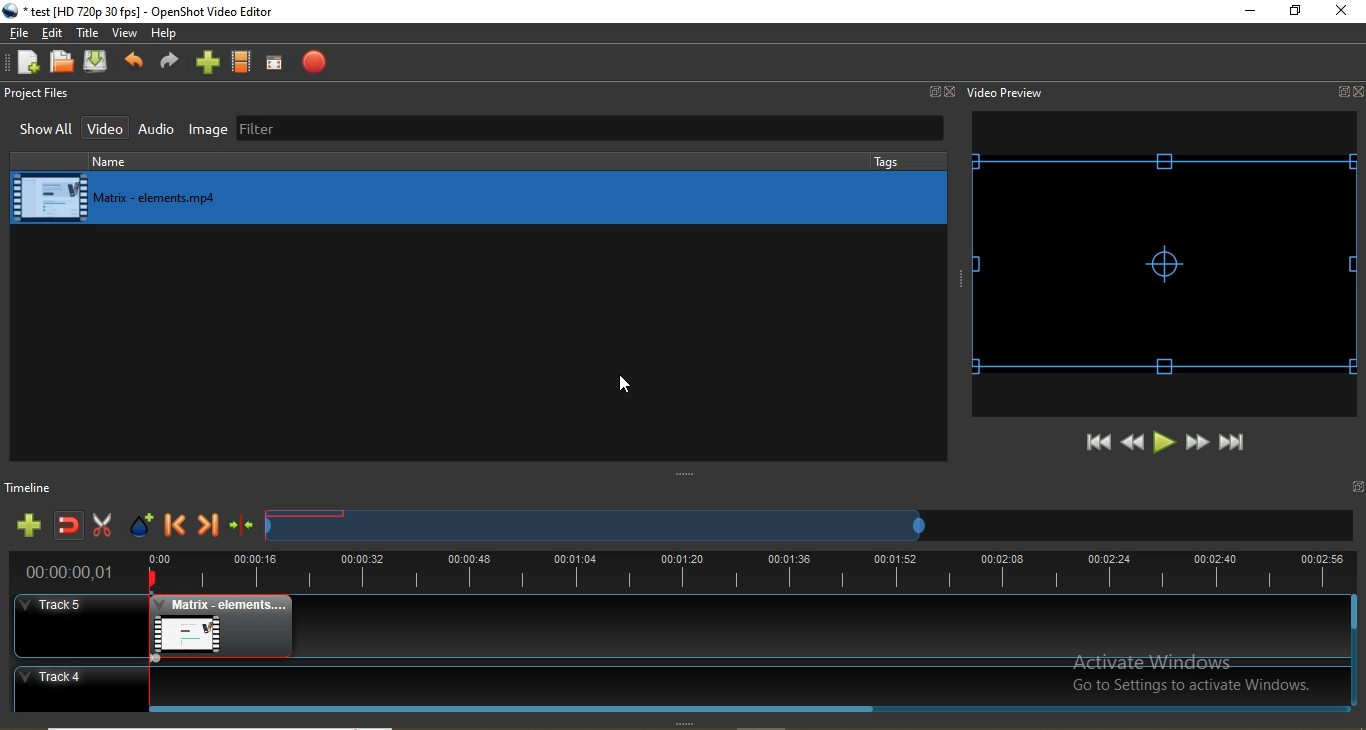  What do you see at coordinates (682, 474) in the screenshot?
I see `adjust window` at bounding box center [682, 474].